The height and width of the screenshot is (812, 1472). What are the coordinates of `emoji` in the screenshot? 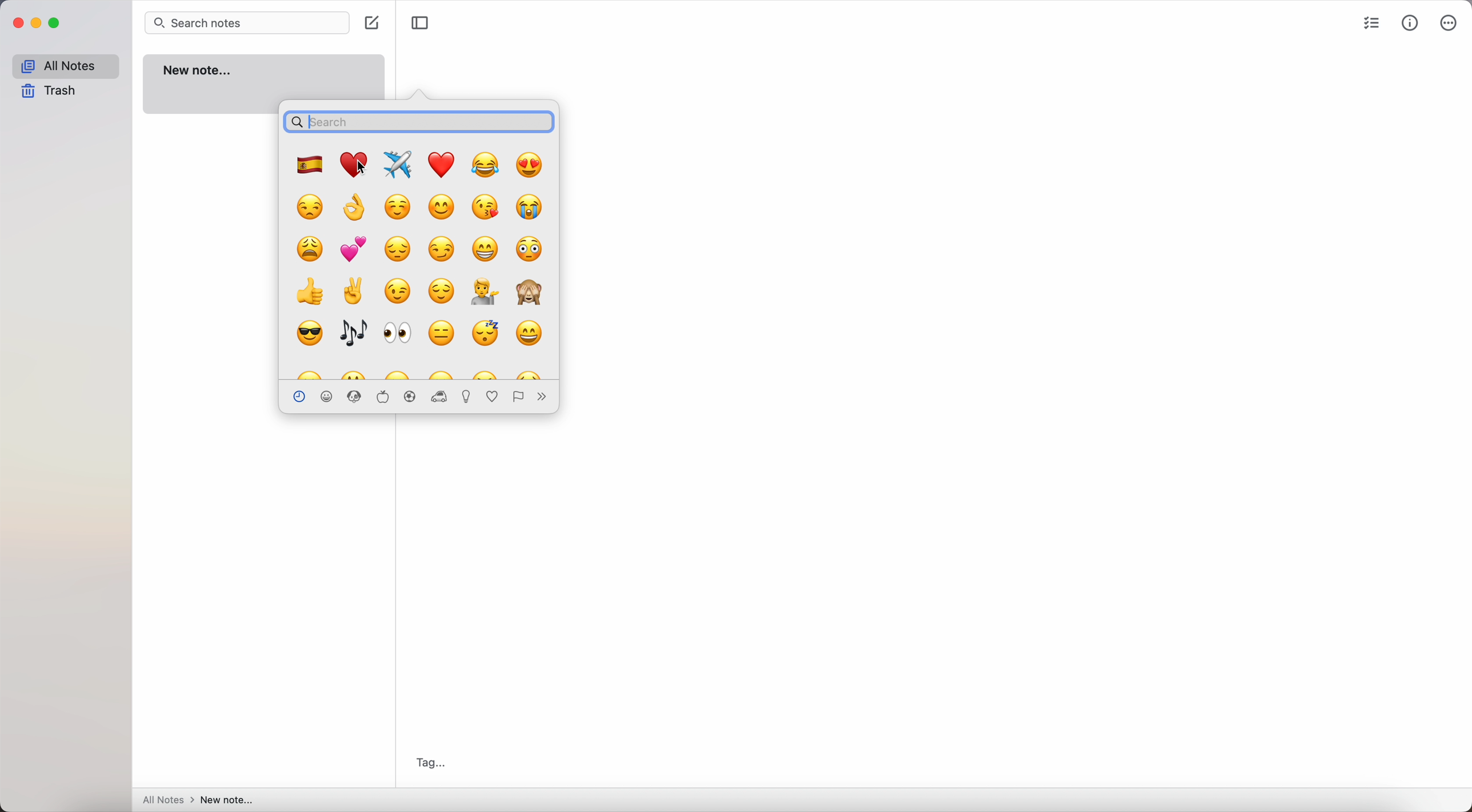 It's located at (351, 290).